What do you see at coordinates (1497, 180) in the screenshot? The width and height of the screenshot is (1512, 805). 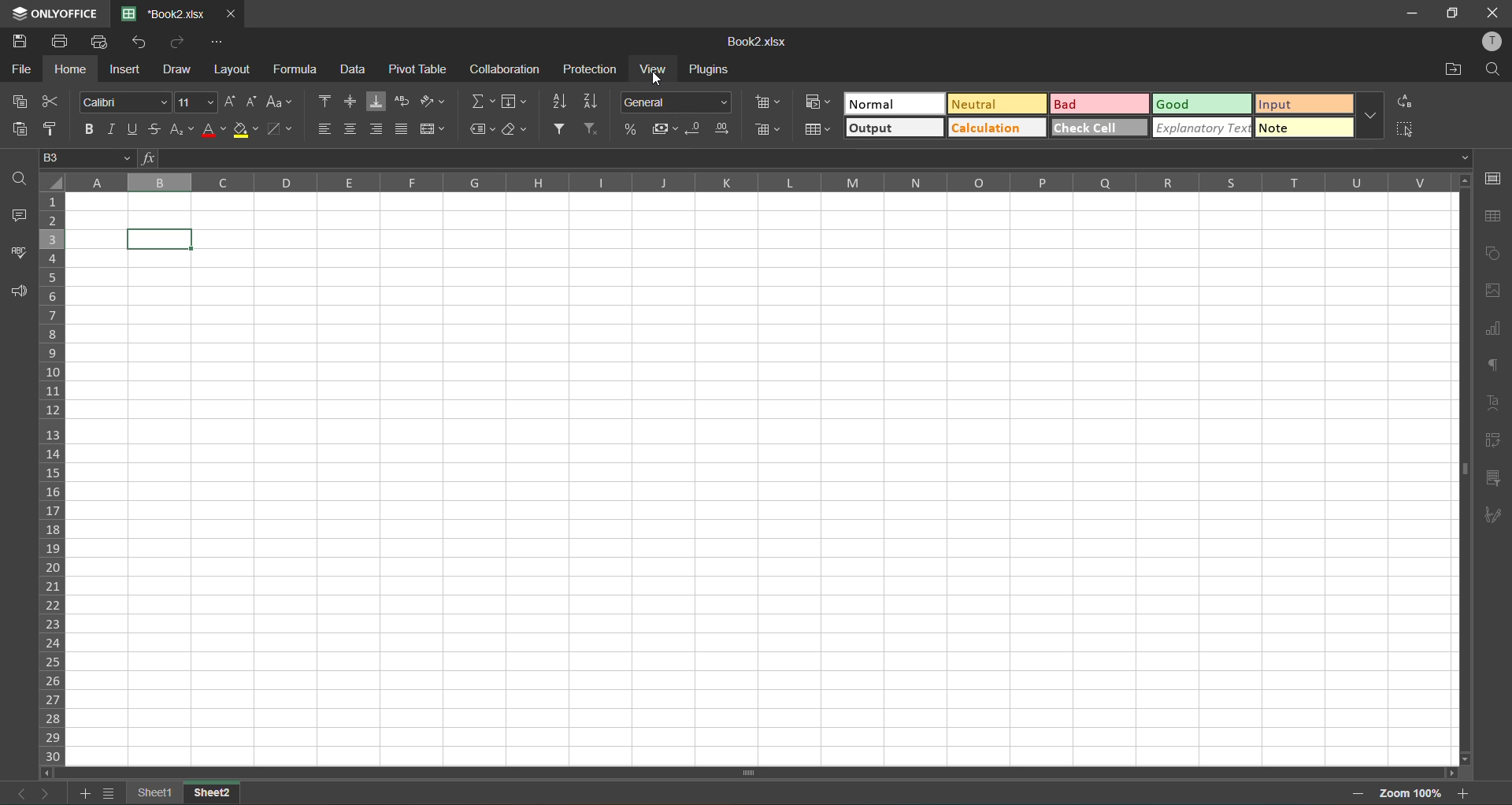 I see `cell settings` at bounding box center [1497, 180].